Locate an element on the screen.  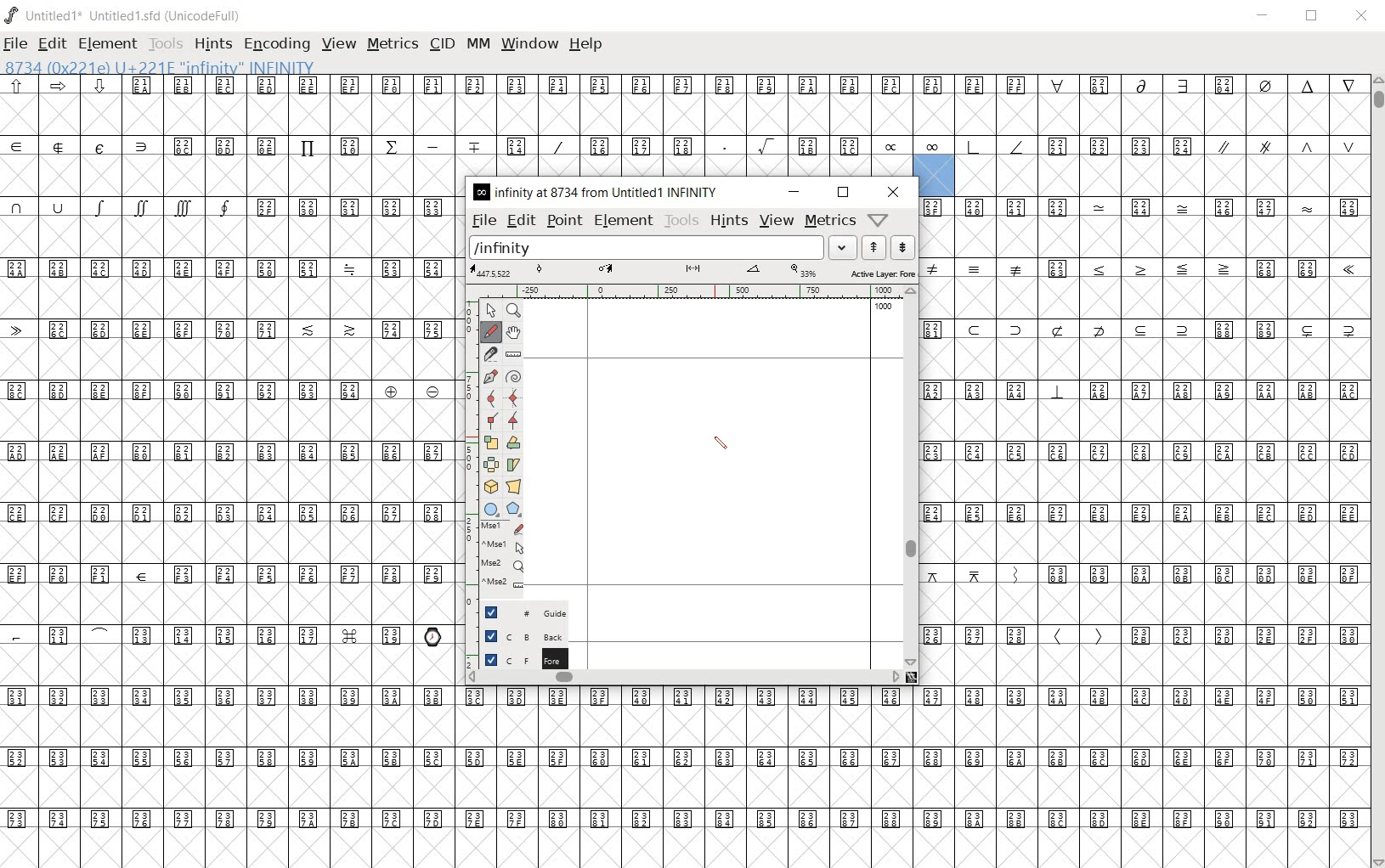
Add a corner point is located at coordinates (491, 421).